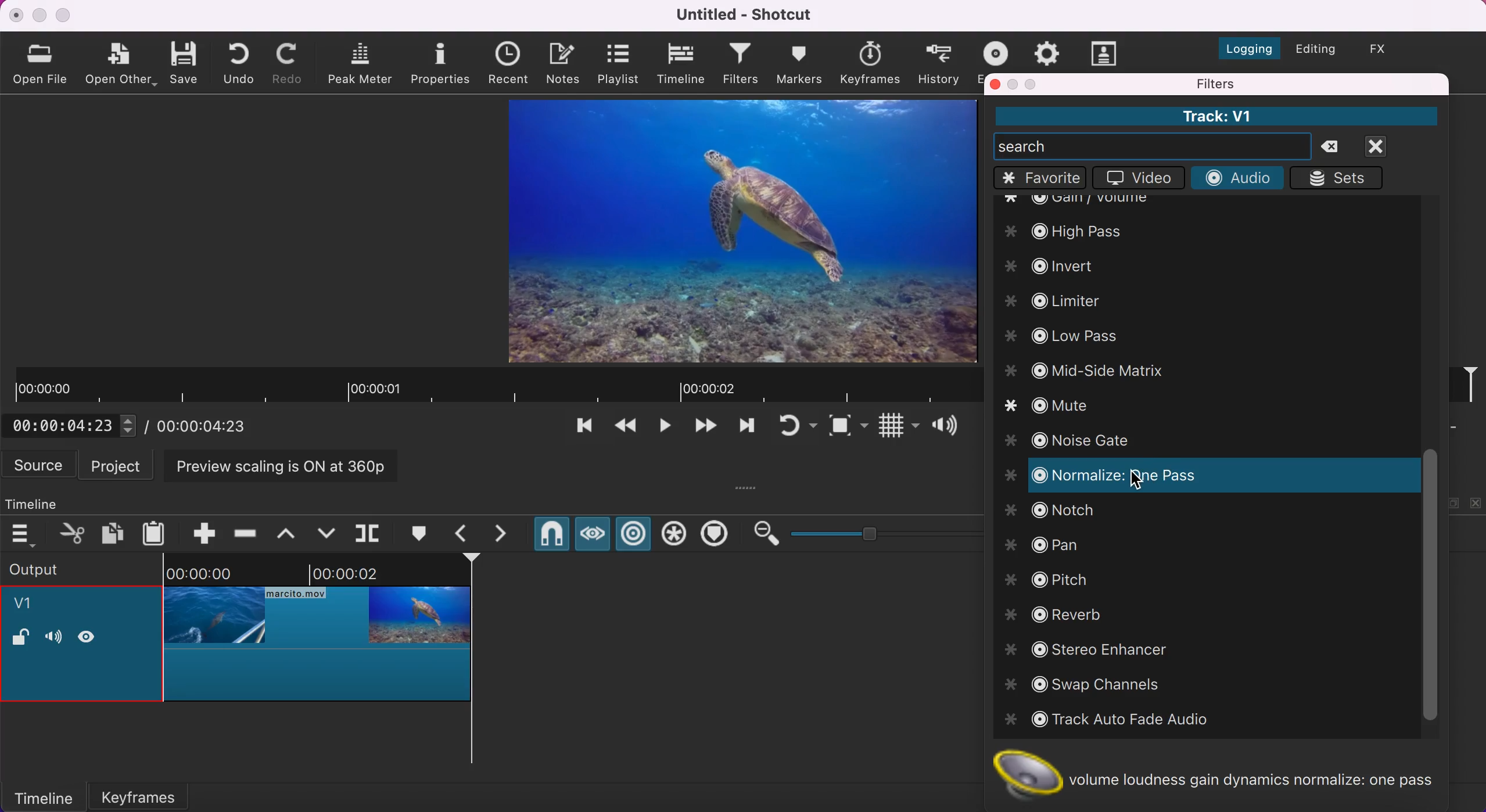  What do you see at coordinates (1314, 51) in the screenshot?
I see `switch to the editing layout` at bounding box center [1314, 51].